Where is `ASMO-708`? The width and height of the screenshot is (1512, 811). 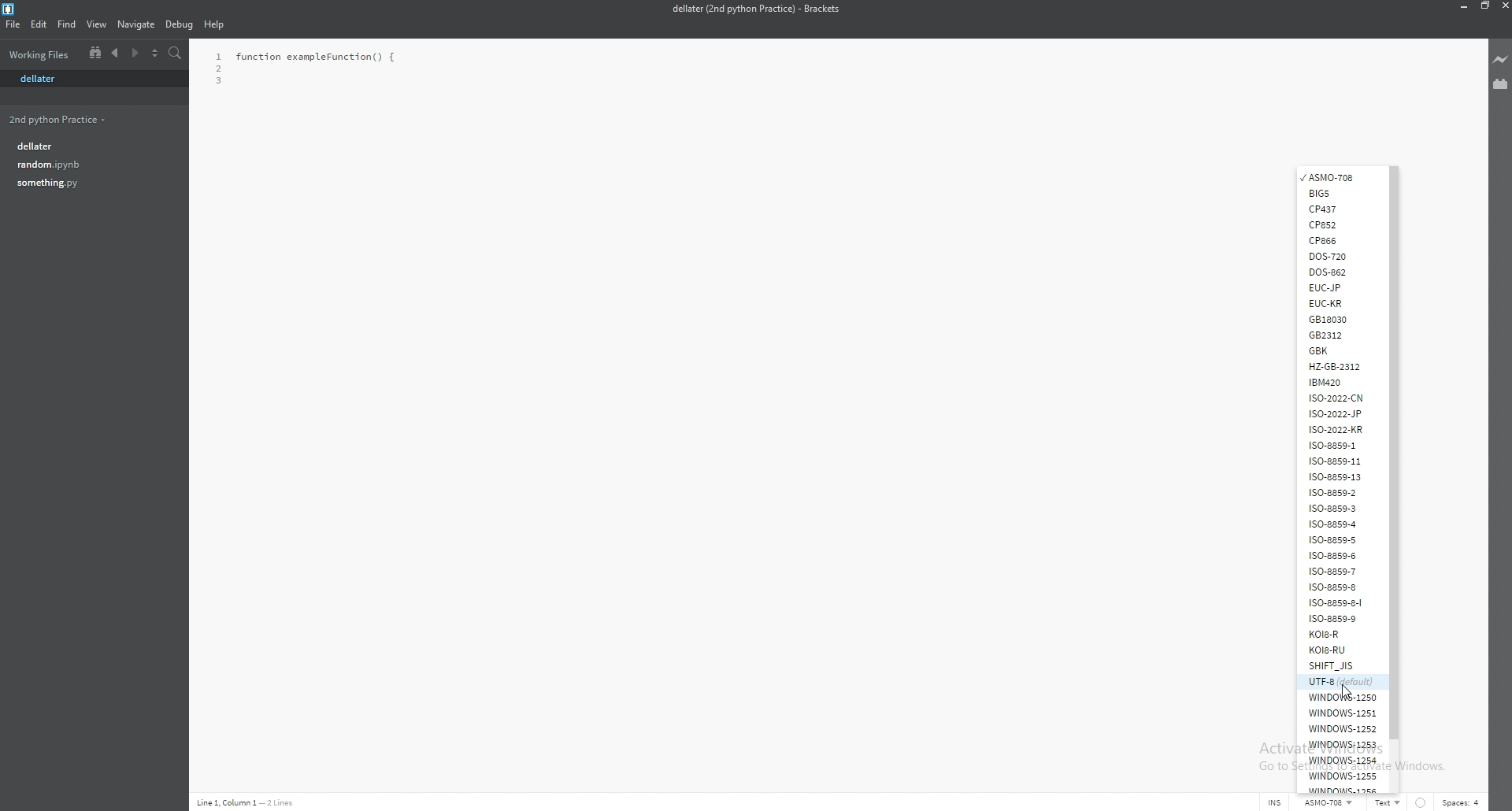 ASMO-708 is located at coordinates (1329, 802).